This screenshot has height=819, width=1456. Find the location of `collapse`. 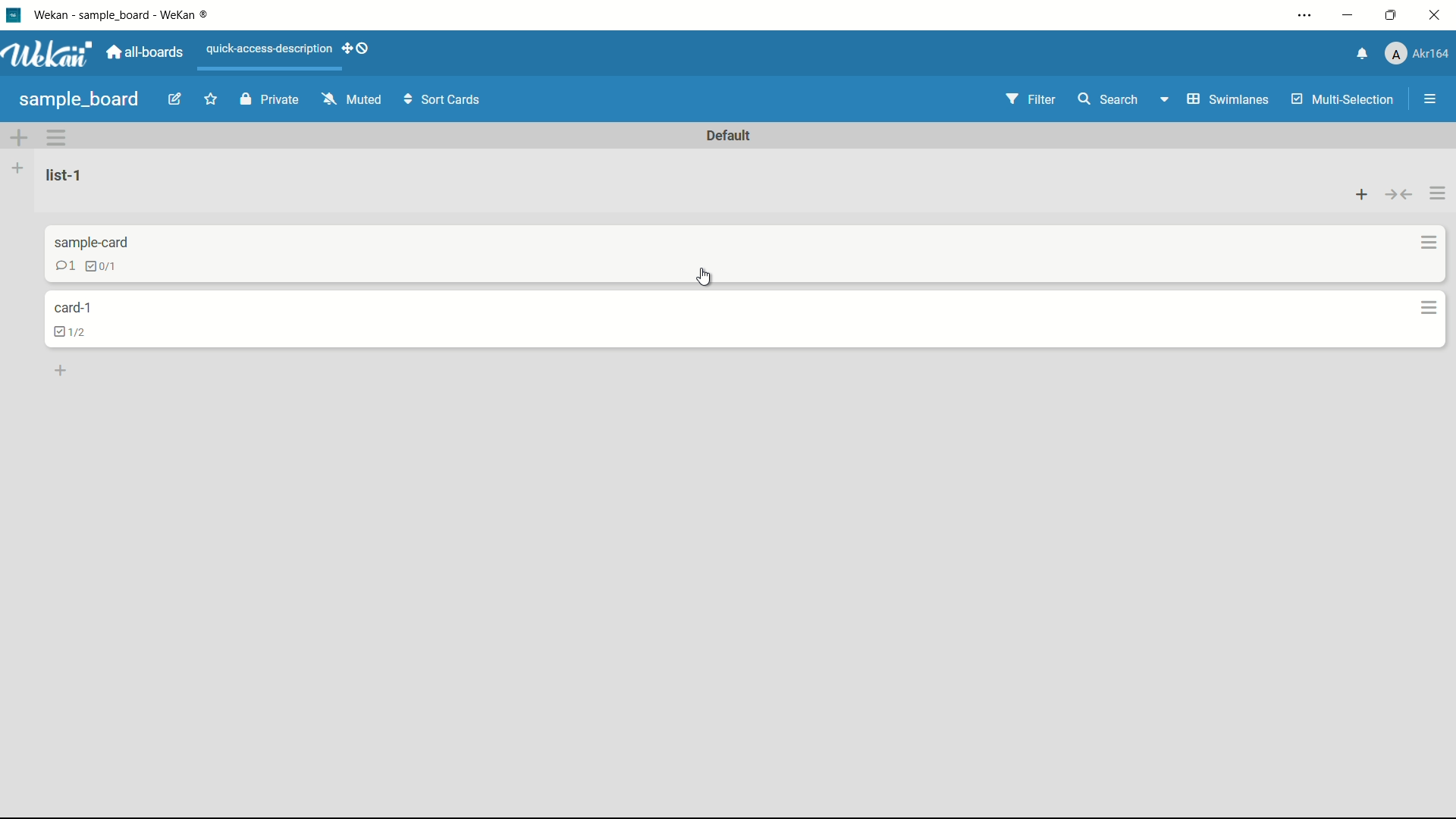

collapse is located at coordinates (1399, 196).